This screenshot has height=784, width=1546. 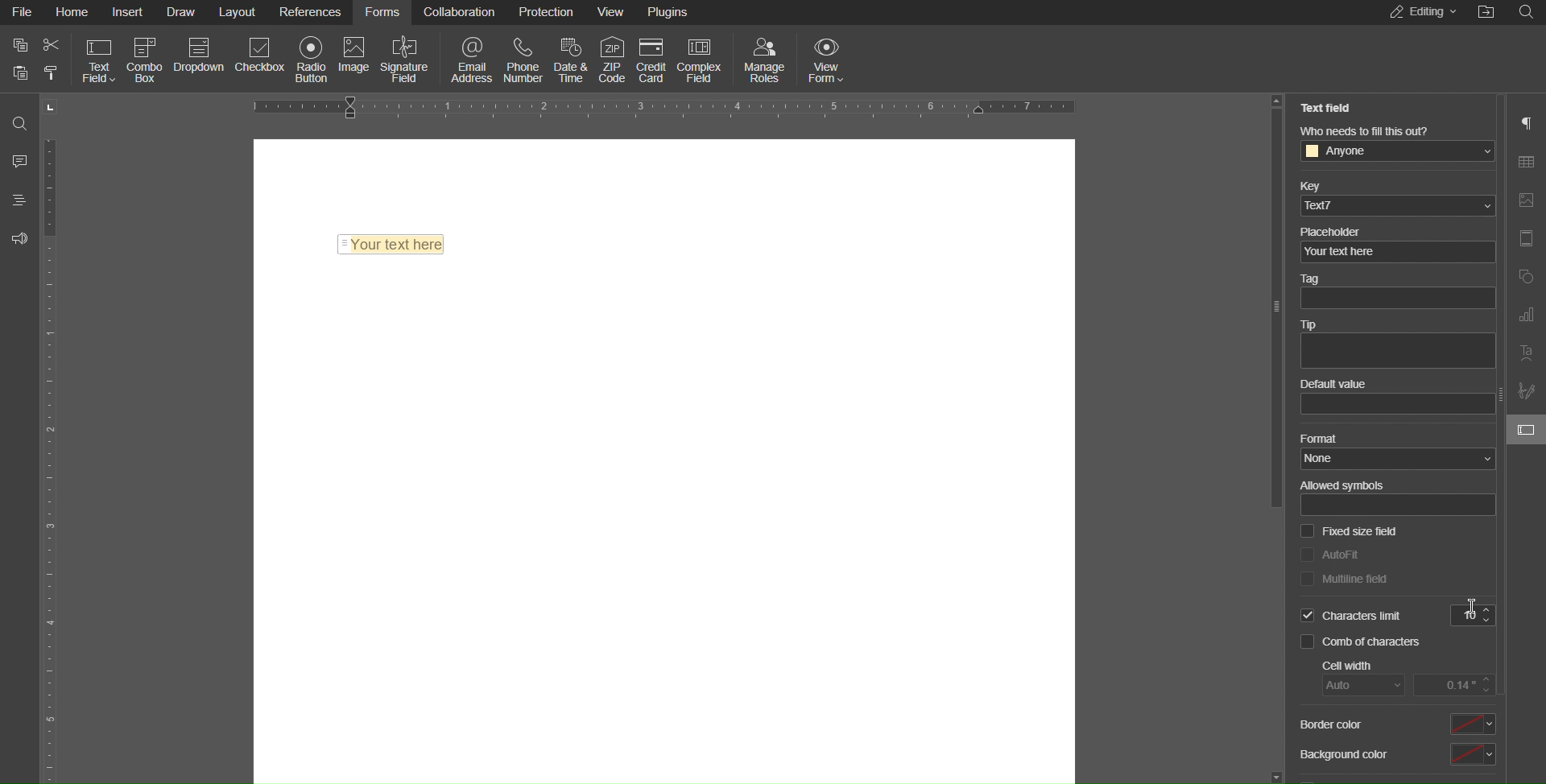 I want to click on Image Settings, so click(x=1525, y=201).